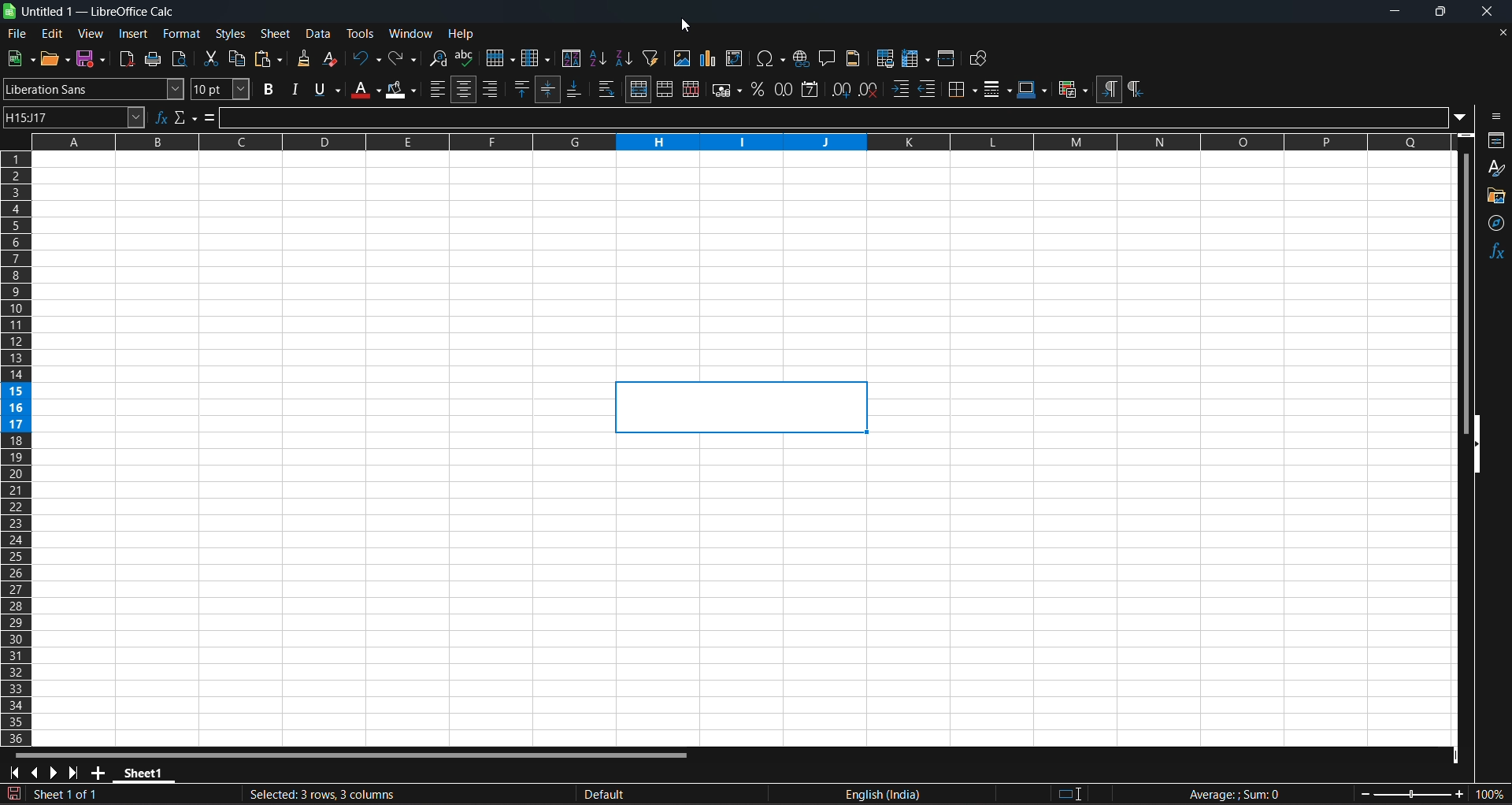  What do you see at coordinates (91, 33) in the screenshot?
I see `view` at bounding box center [91, 33].